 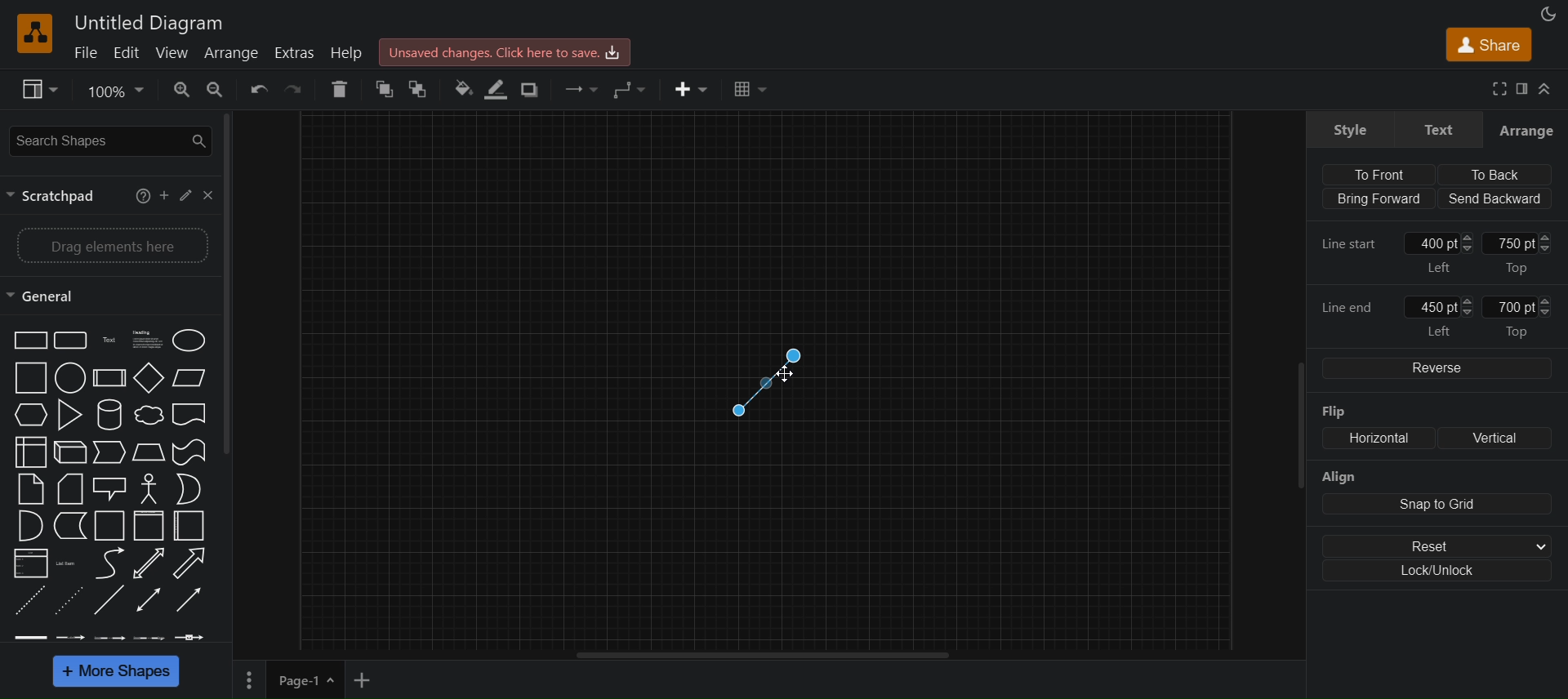 I want to click on Process, so click(x=107, y=377).